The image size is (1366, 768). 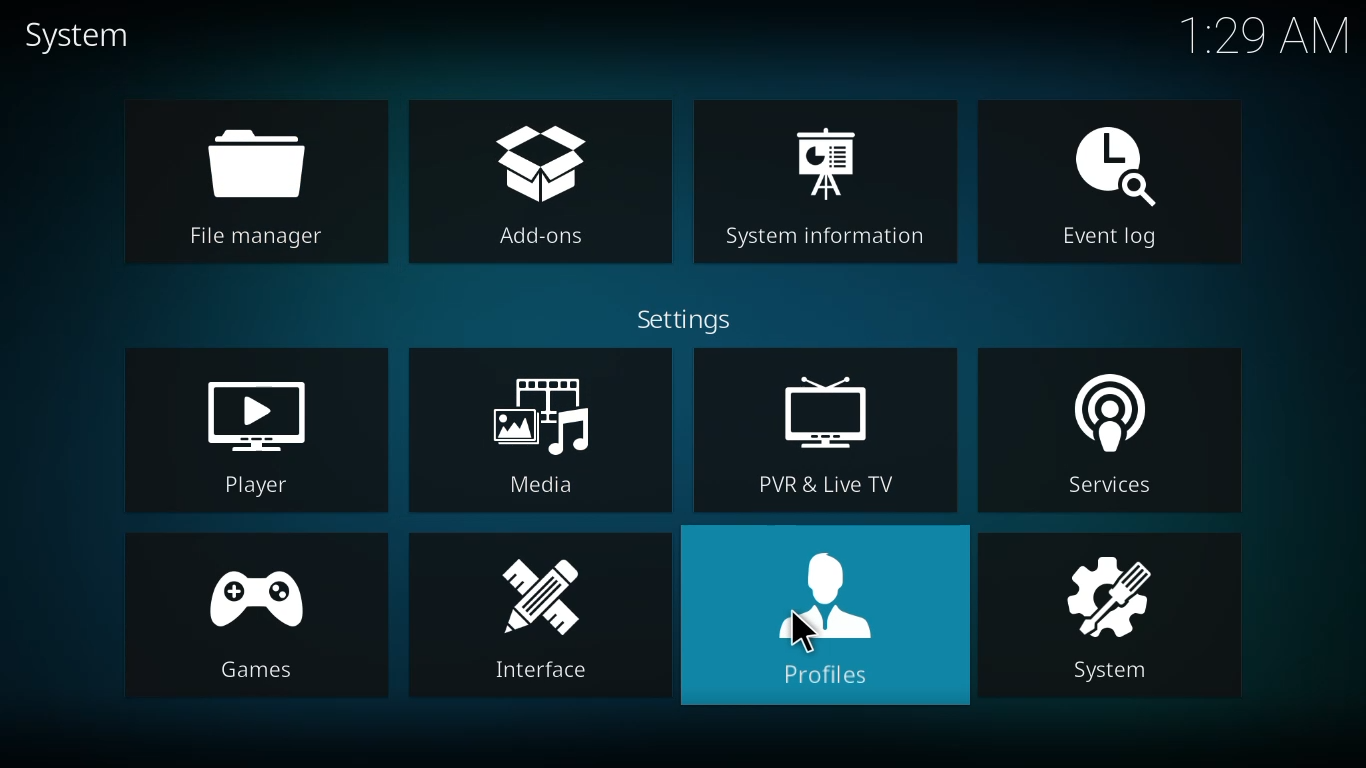 What do you see at coordinates (538, 429) in the screenshot?
I see `media` at bounding box center [538, 429].